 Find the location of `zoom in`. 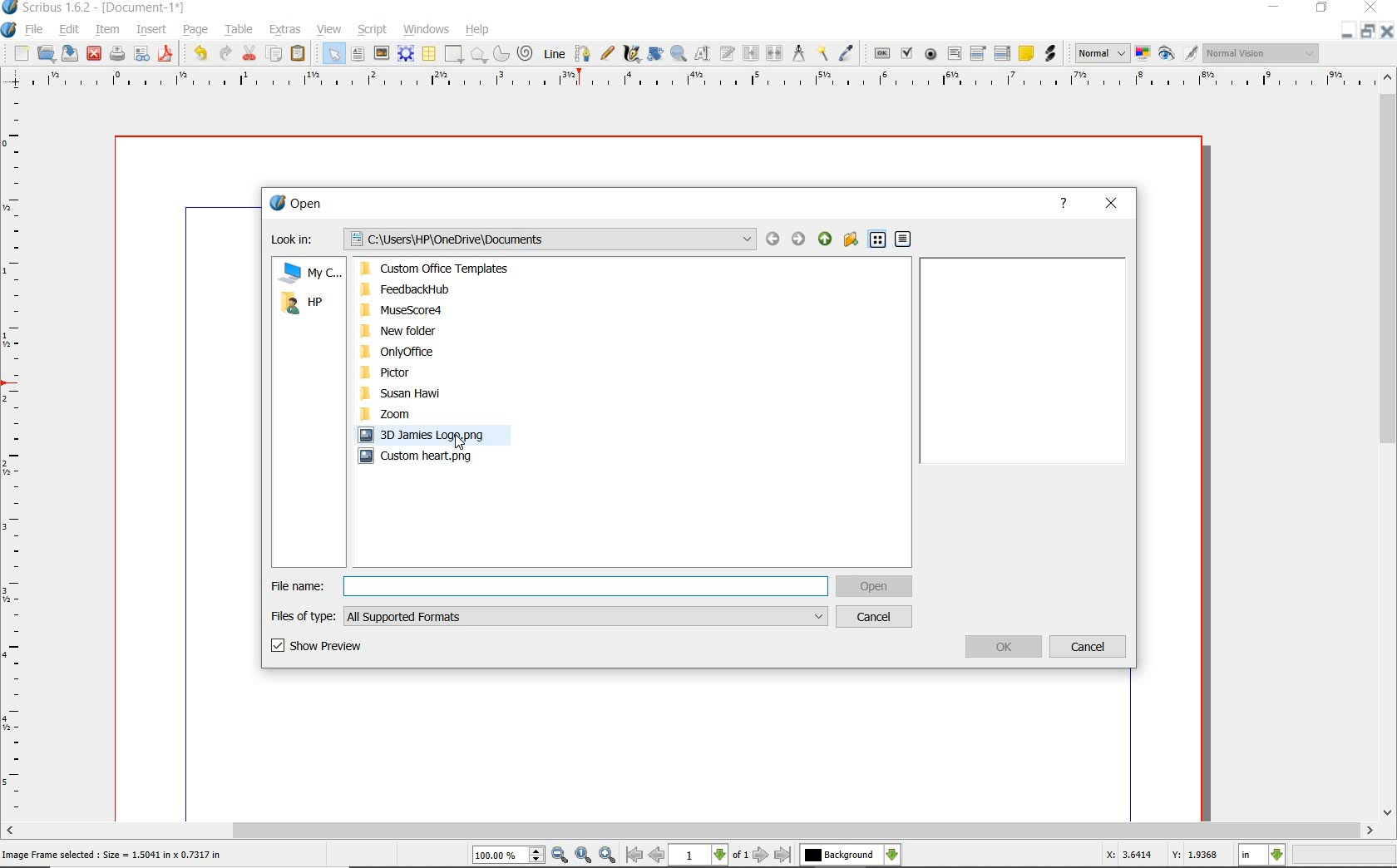

zoom in is located at coordinates (608, 856).